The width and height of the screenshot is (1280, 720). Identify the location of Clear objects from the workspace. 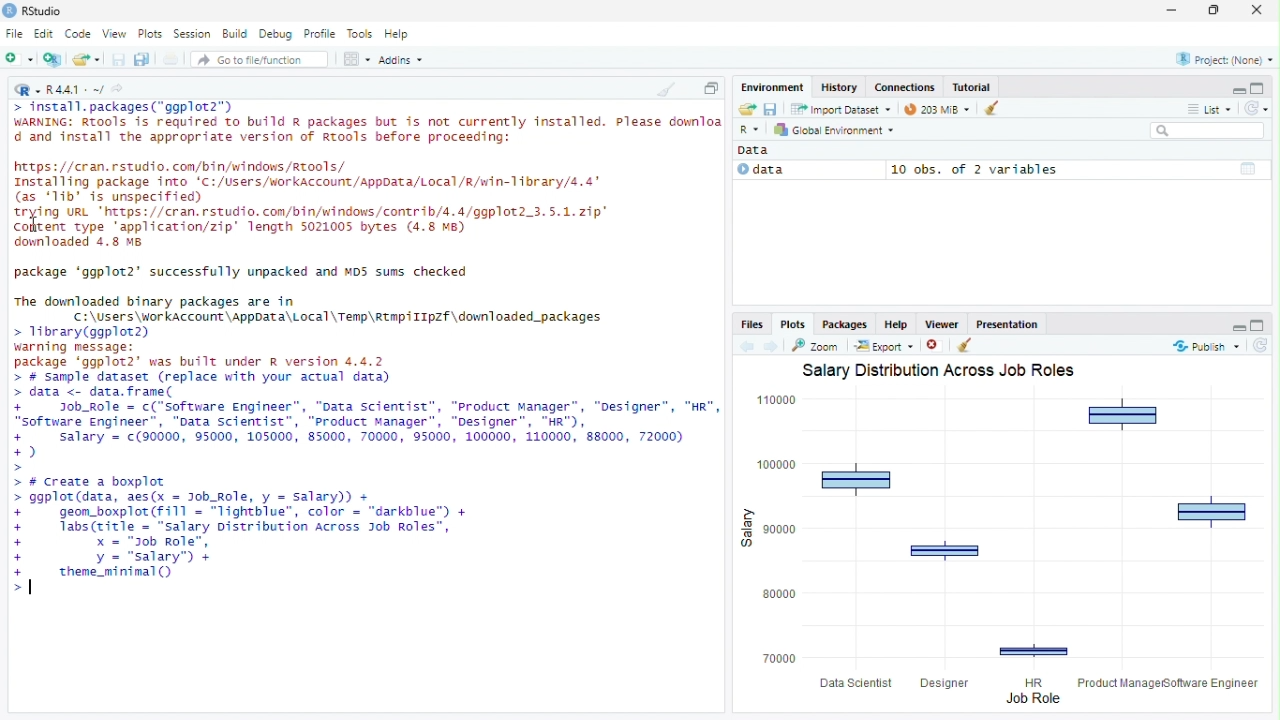
(985, 108).